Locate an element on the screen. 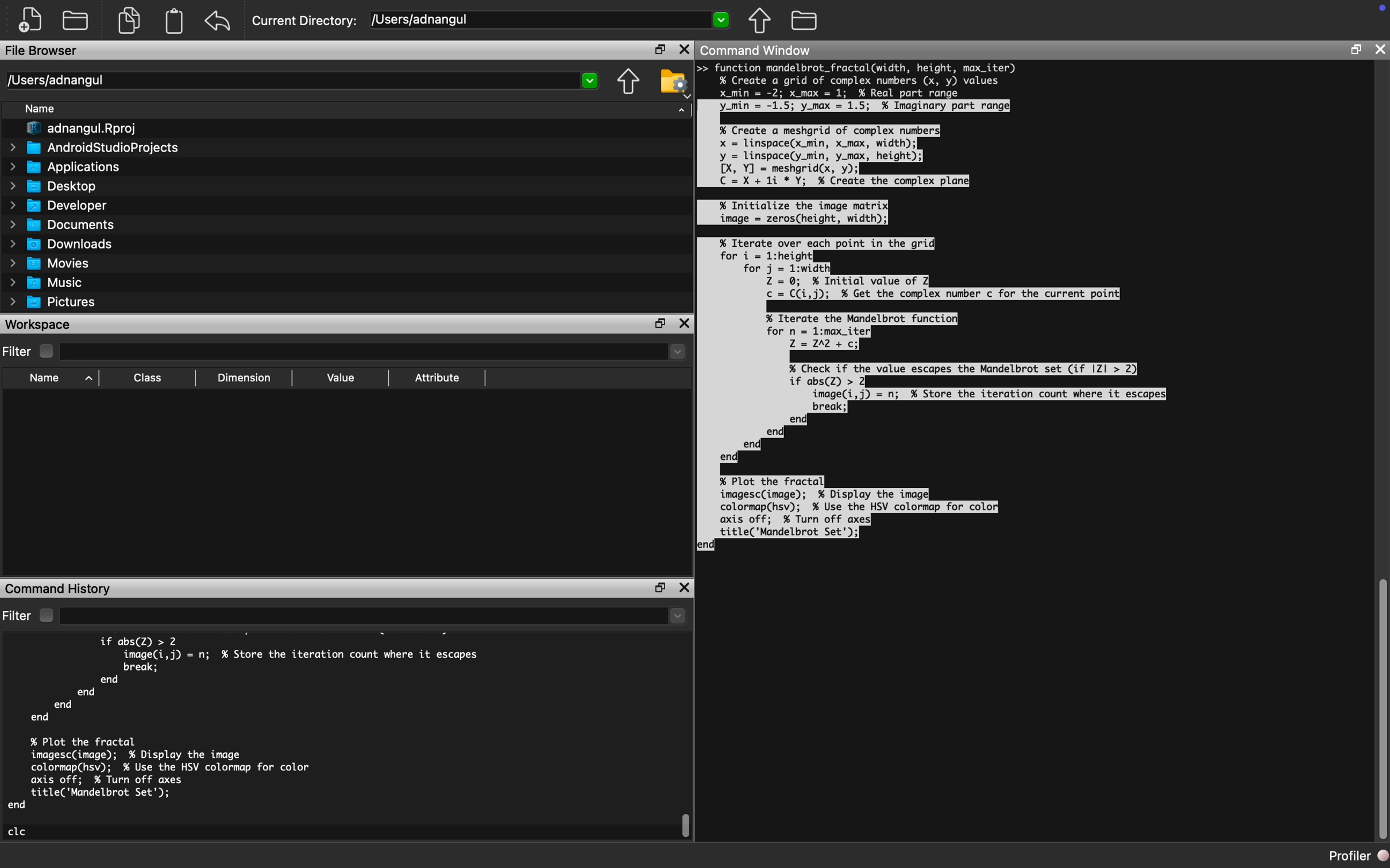 The image size is (1390, 868). Restore Down is located at coordinates (659, 322).